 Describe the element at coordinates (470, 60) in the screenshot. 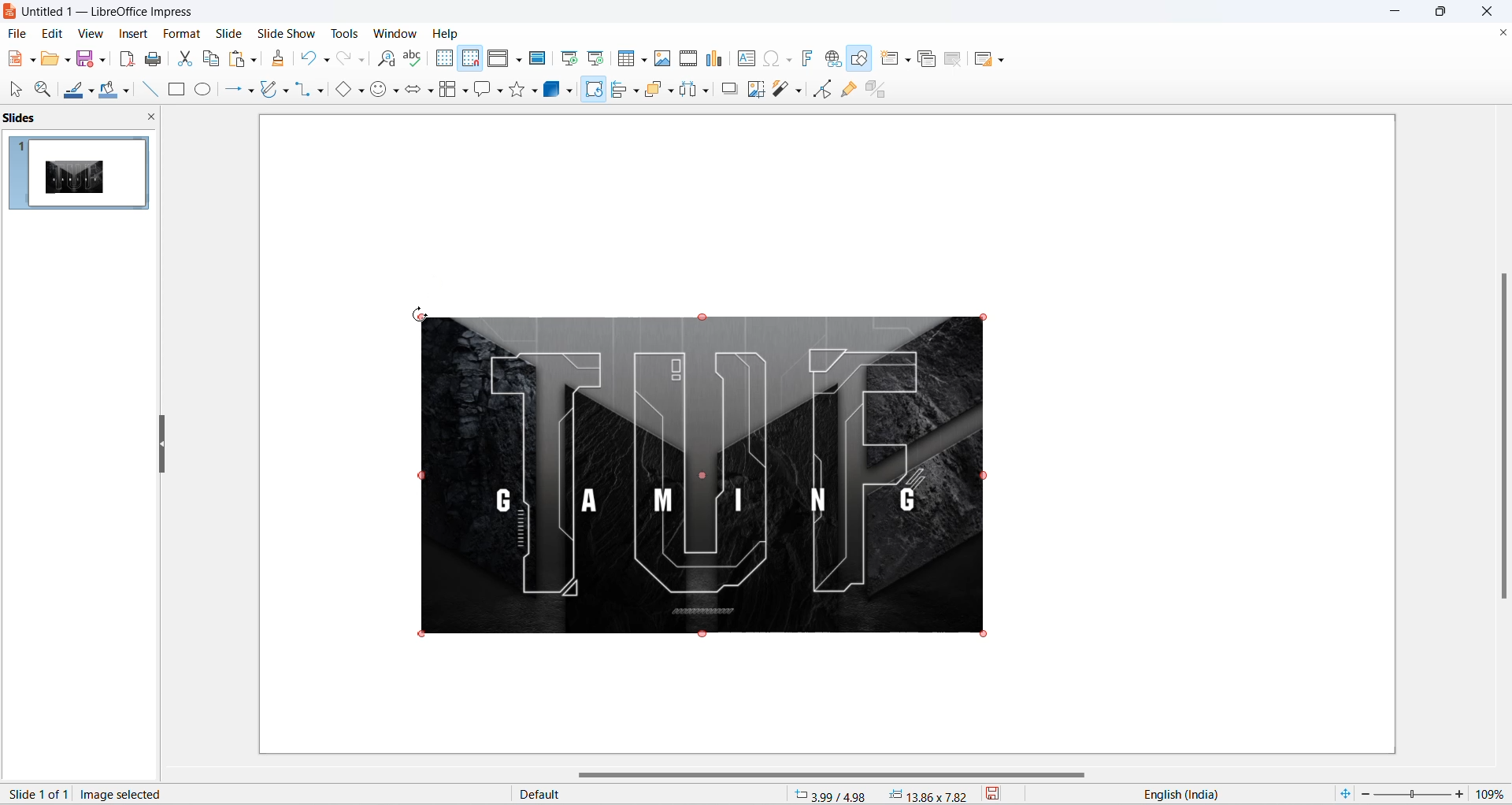

I see `snap to grid` at that location.